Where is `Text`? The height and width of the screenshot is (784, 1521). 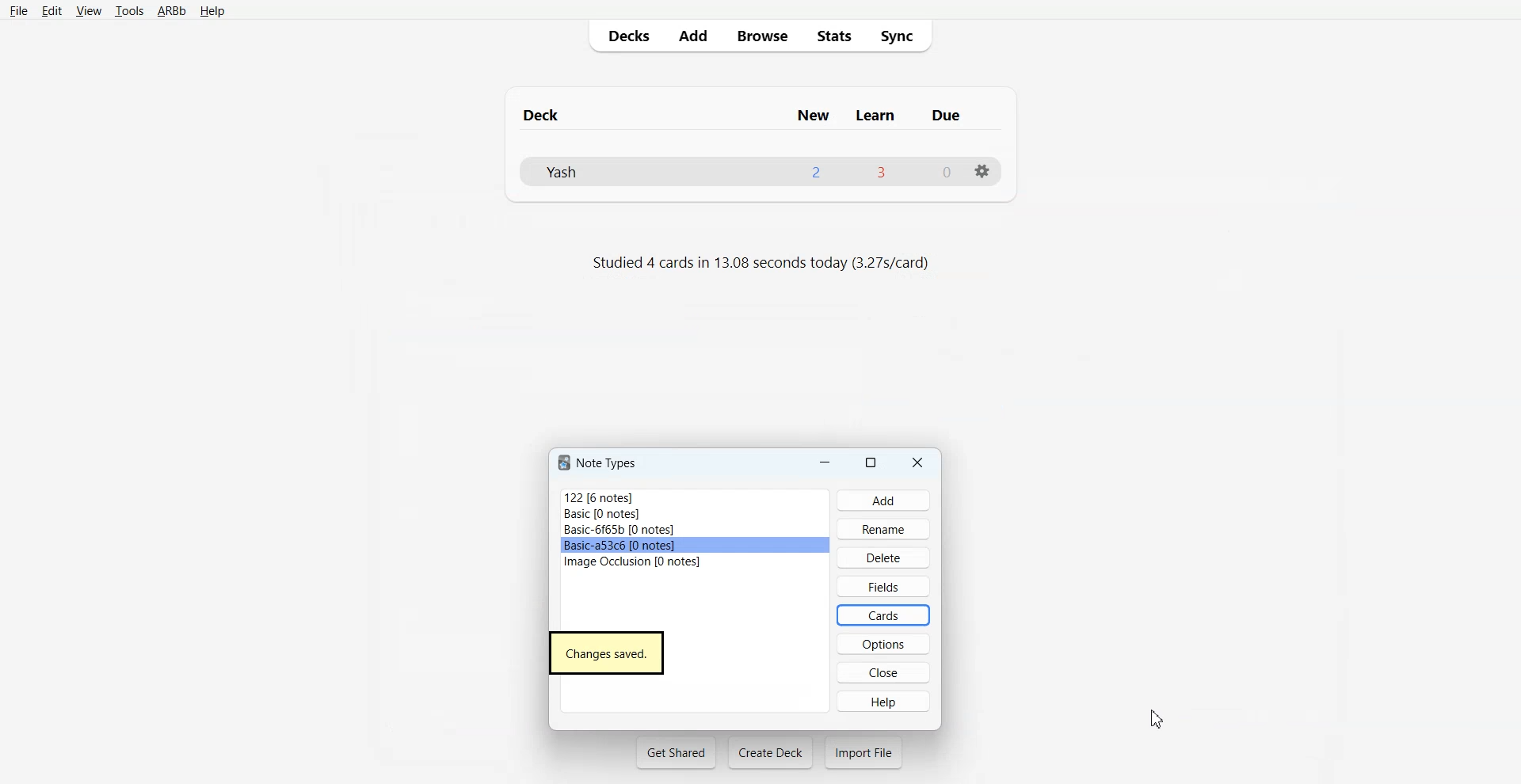
Text is located at coordinates (608, 653).